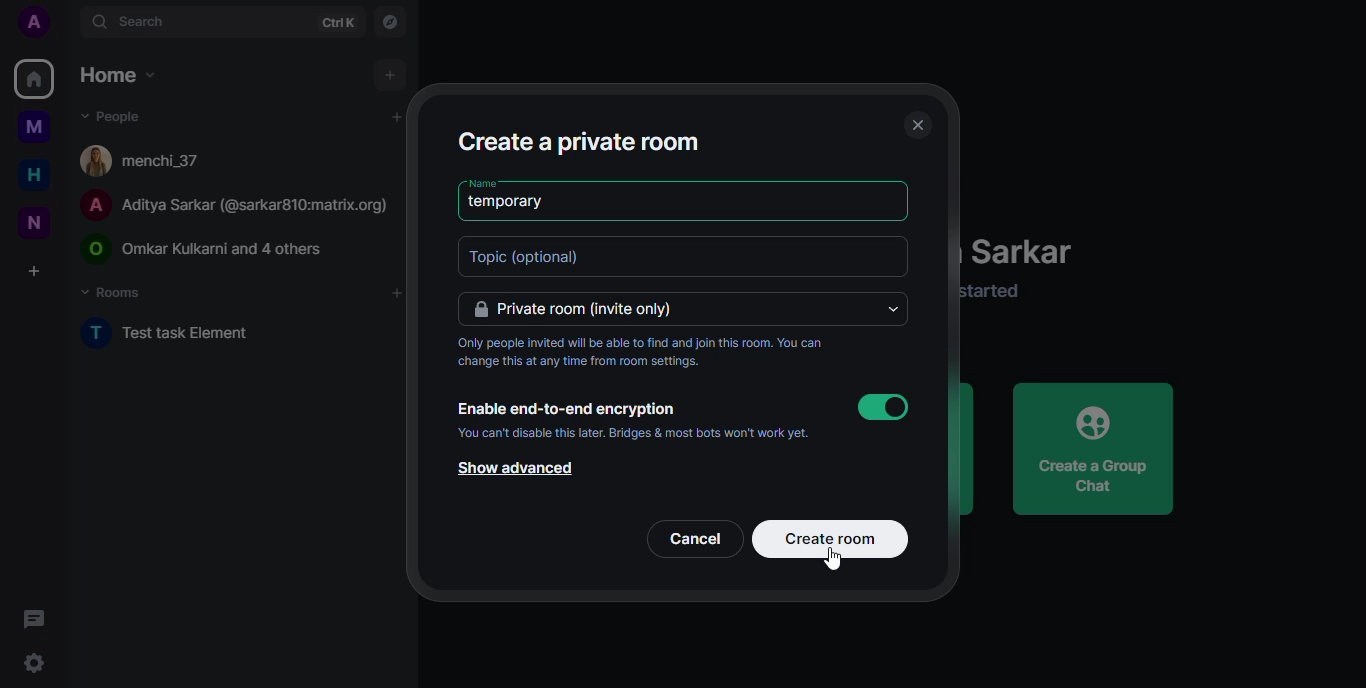  Describe the element at coordinates (516, 469) in the screenshot. I see `show advanced` at that location.